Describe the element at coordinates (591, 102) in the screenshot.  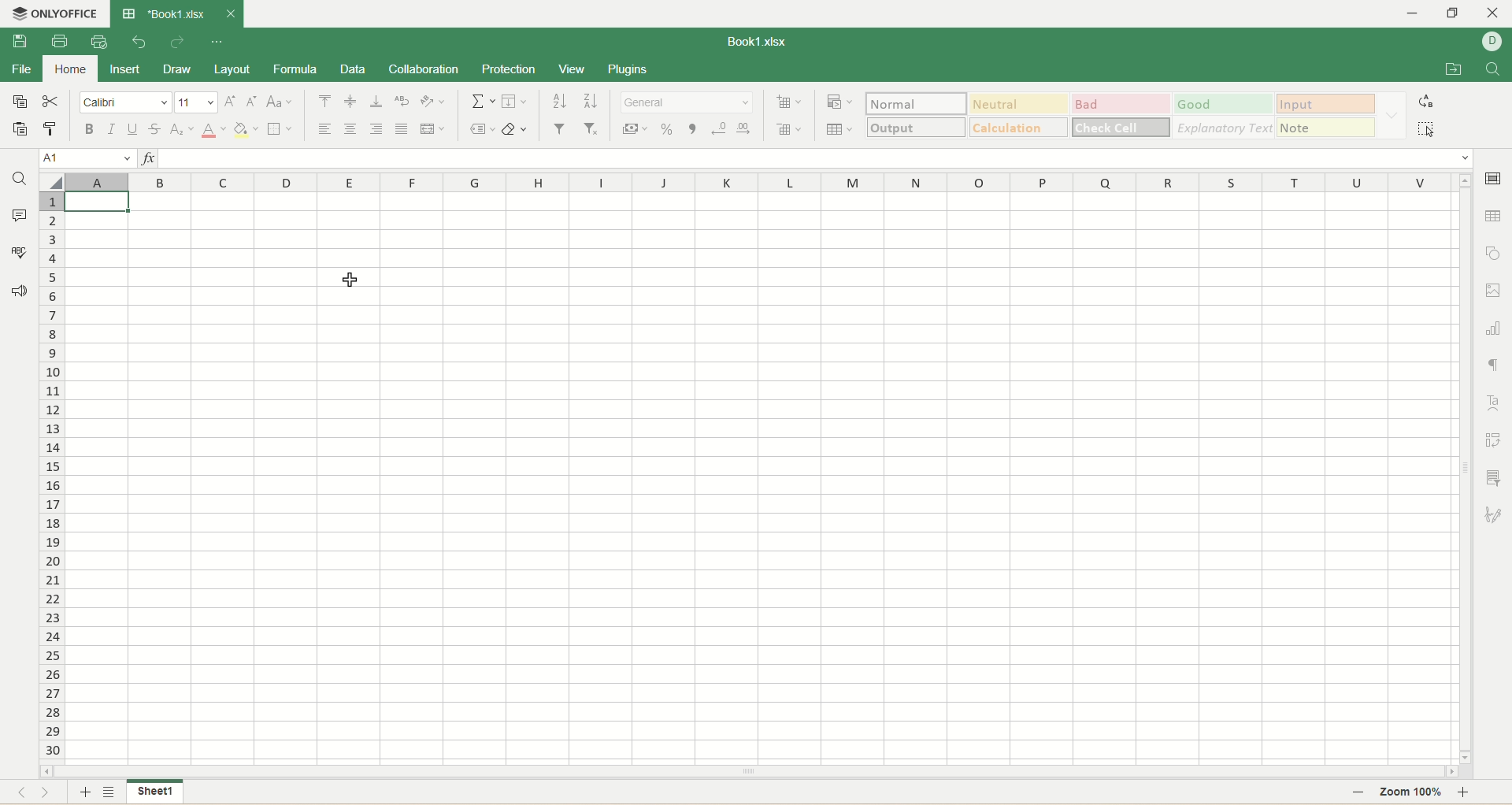
I see `sort descending` at that location.